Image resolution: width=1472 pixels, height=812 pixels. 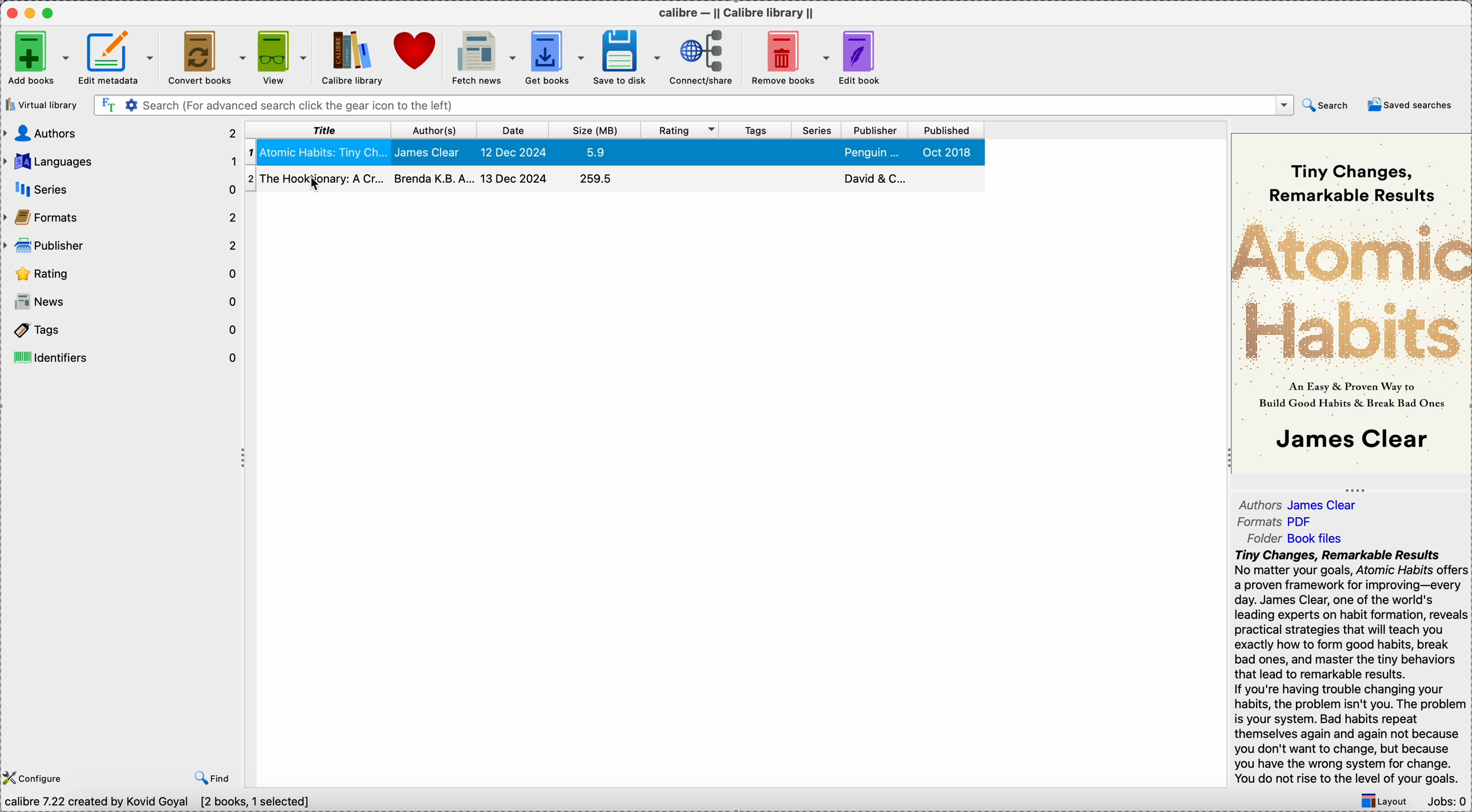 What do you see at coordinates (614, 178) in the screenshot?
I see `The Hooktionary book details` at bounding box center [614, 178].